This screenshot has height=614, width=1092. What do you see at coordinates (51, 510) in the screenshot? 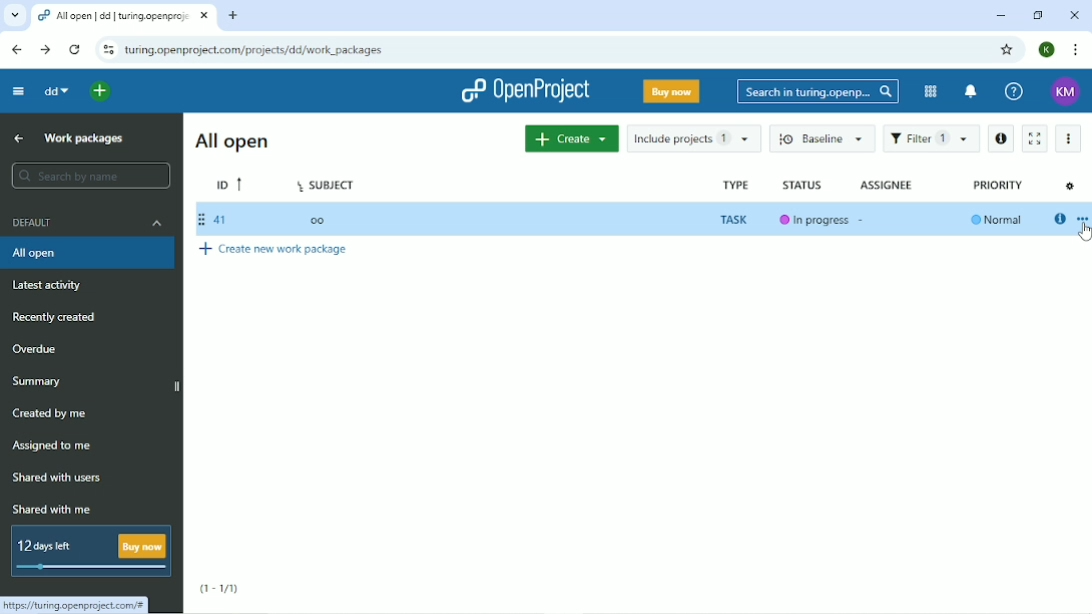
I see `Shared with me` at bounding box center [51, 510].